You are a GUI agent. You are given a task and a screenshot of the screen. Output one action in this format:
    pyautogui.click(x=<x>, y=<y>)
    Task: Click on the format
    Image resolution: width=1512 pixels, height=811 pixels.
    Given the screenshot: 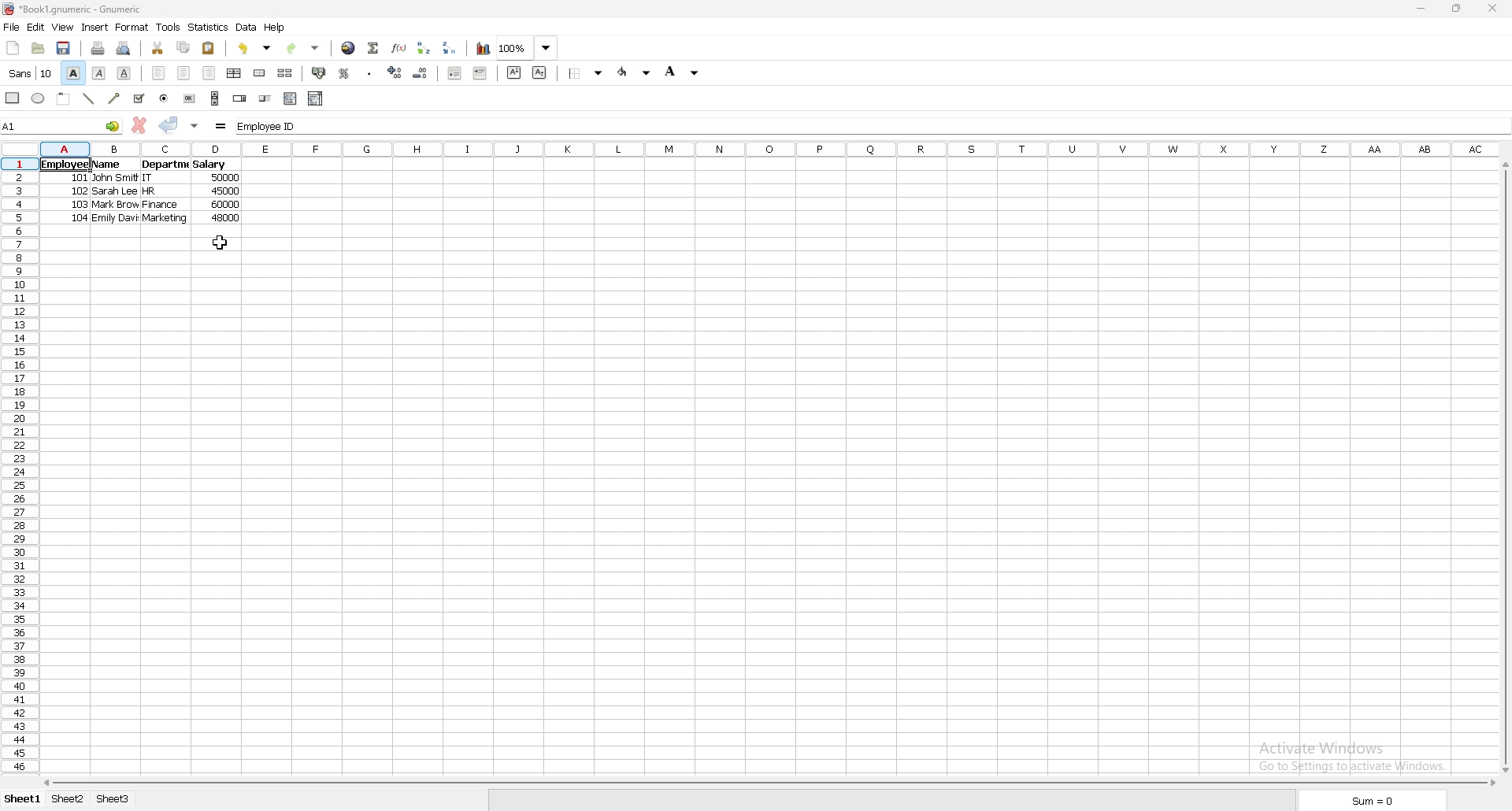 What is the action you would take?
    pyautogui.click(x=132, y=27)
    